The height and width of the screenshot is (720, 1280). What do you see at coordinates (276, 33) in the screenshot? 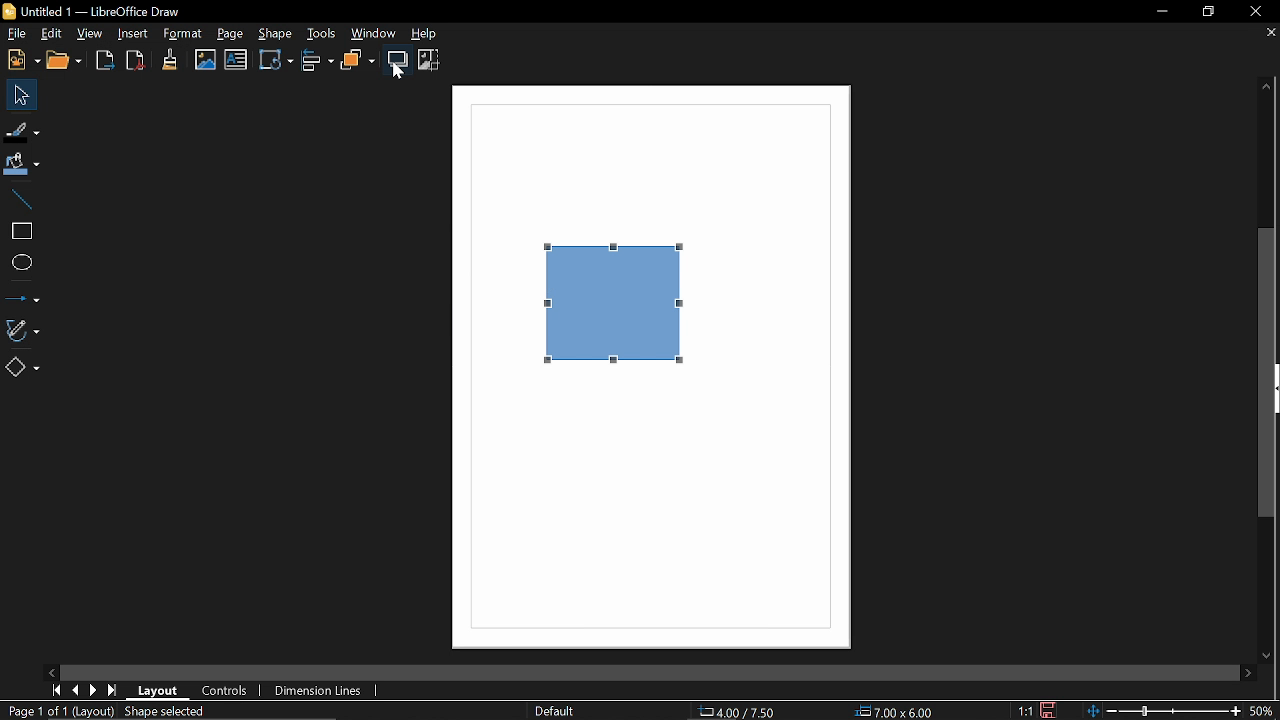
I see `Shape` at bounding box center [276, 33].